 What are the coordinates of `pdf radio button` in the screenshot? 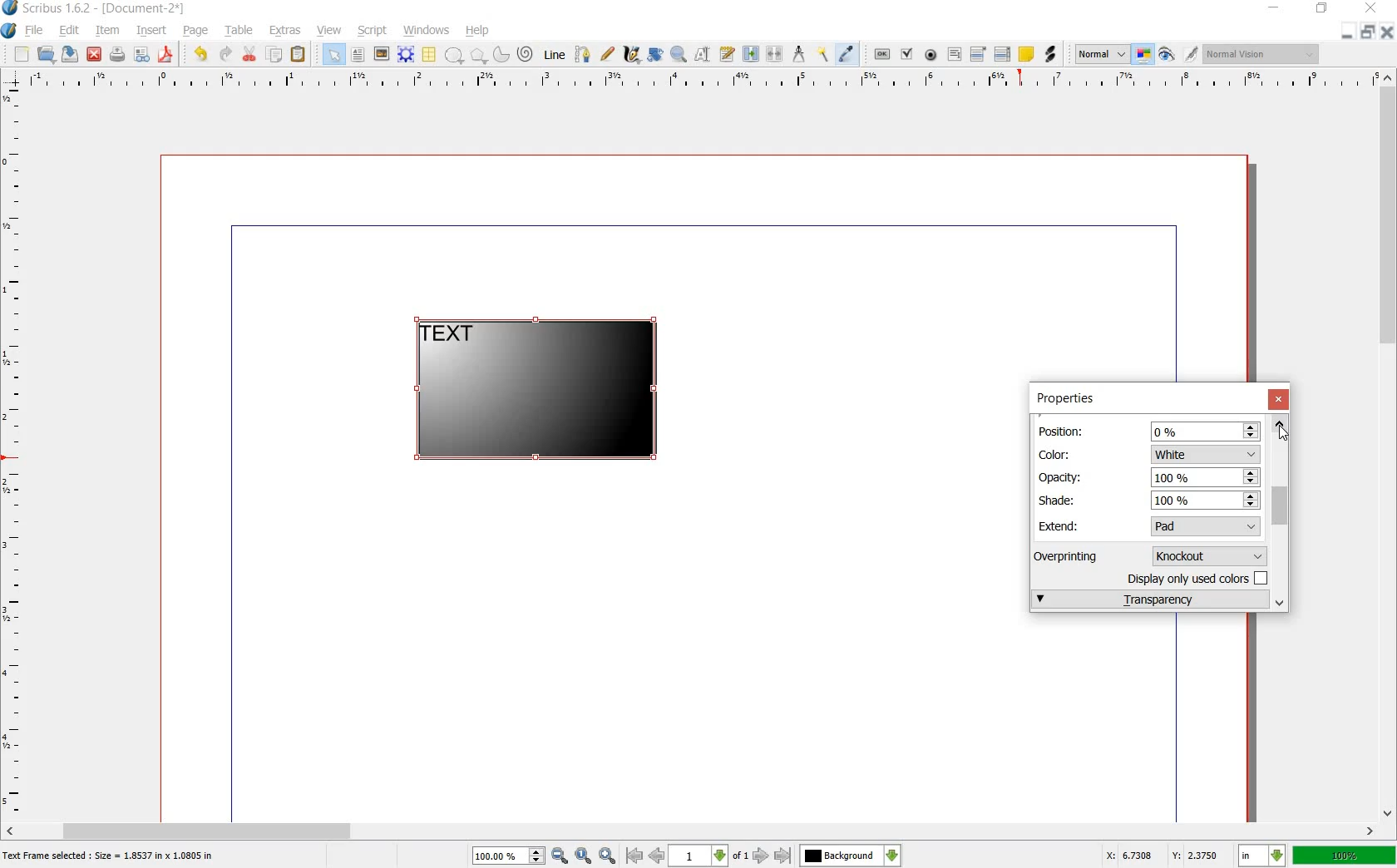 It's located at (931, 55).